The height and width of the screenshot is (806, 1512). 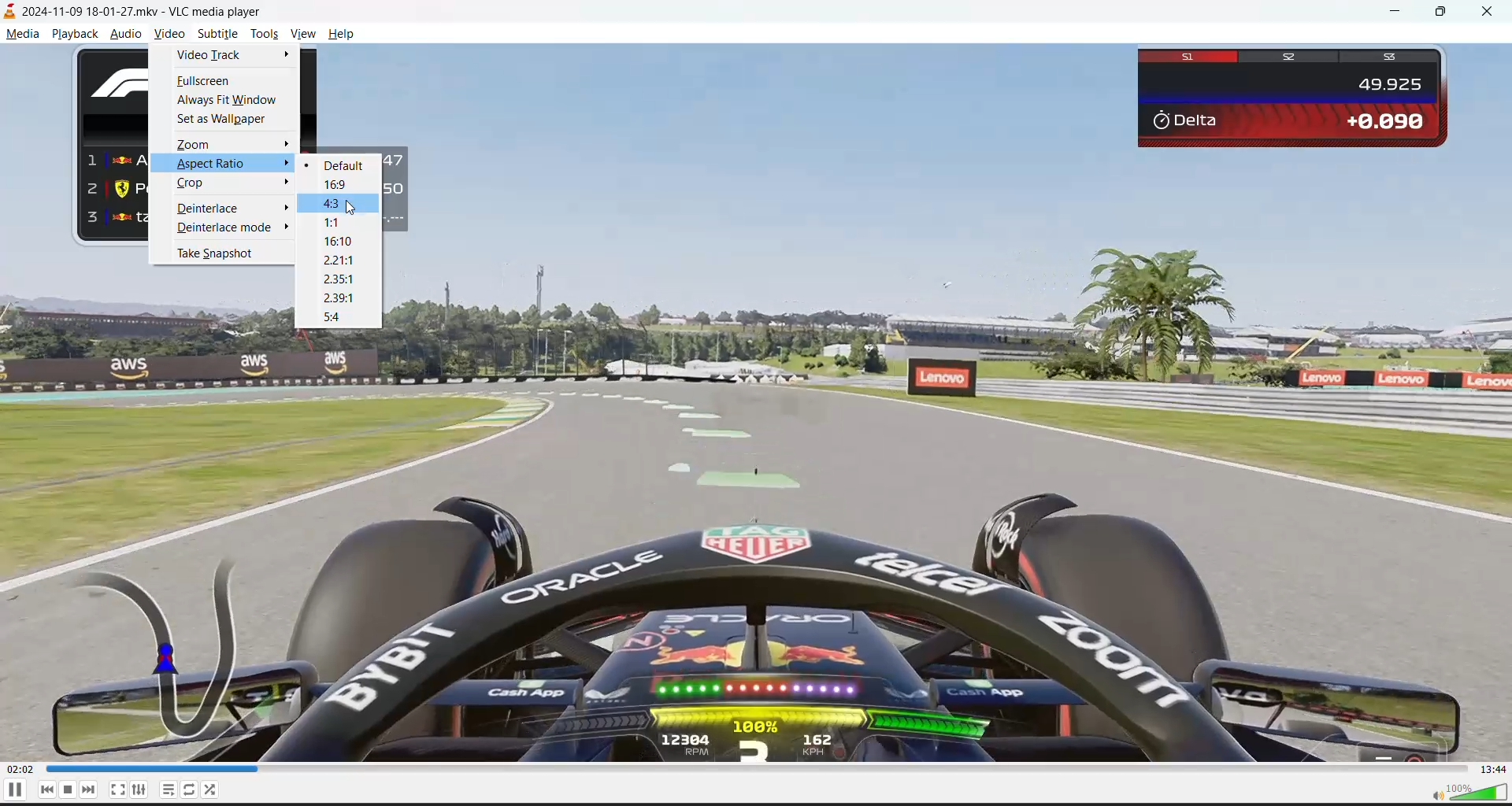 I want to click on 1:1, so click(x=336, y=222).